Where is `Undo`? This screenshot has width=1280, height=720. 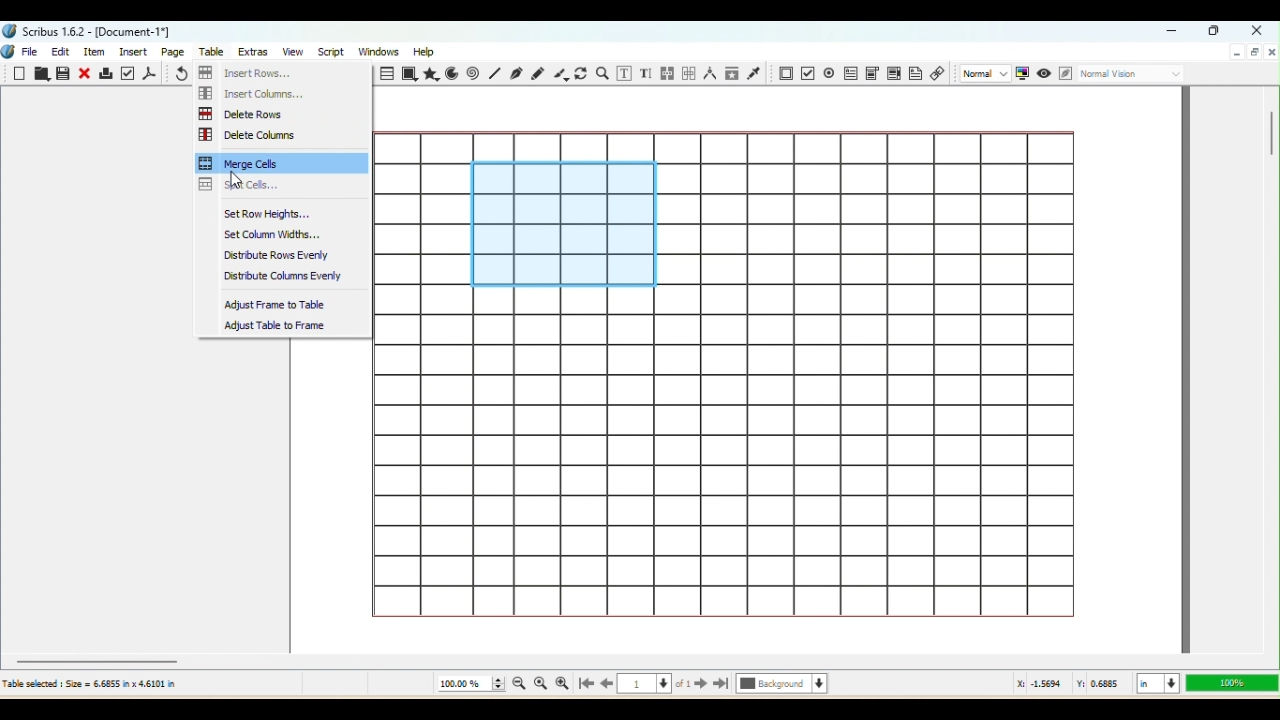 Undo is located at coordinates (179, 74).